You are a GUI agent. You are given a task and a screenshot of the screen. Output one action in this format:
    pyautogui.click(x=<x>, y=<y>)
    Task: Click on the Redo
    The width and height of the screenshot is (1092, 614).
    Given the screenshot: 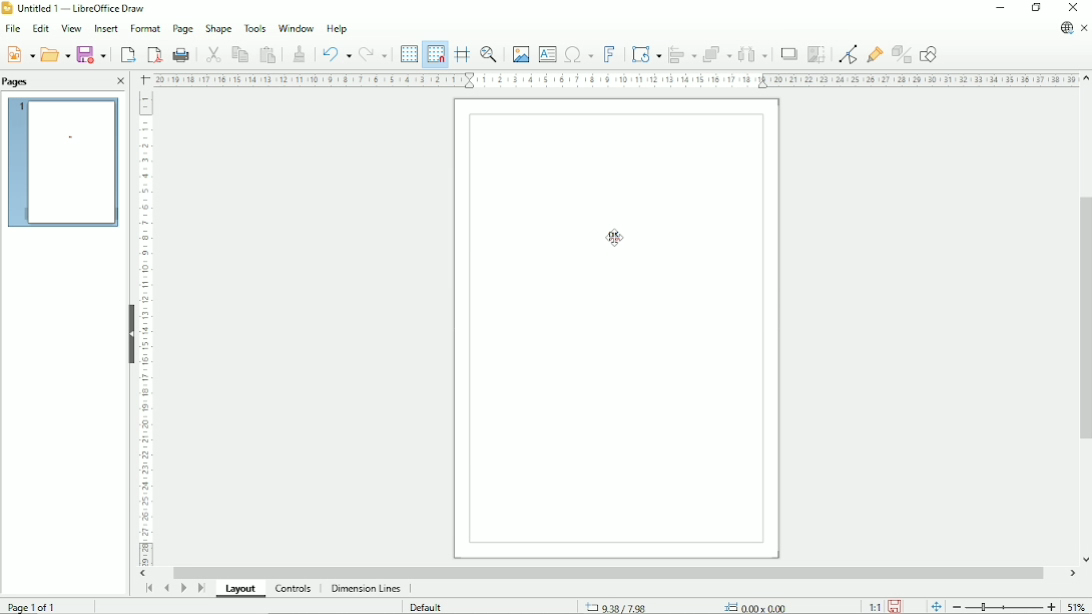 What is the action you would take?
    pyautogui.click(x=374, y=55)
    